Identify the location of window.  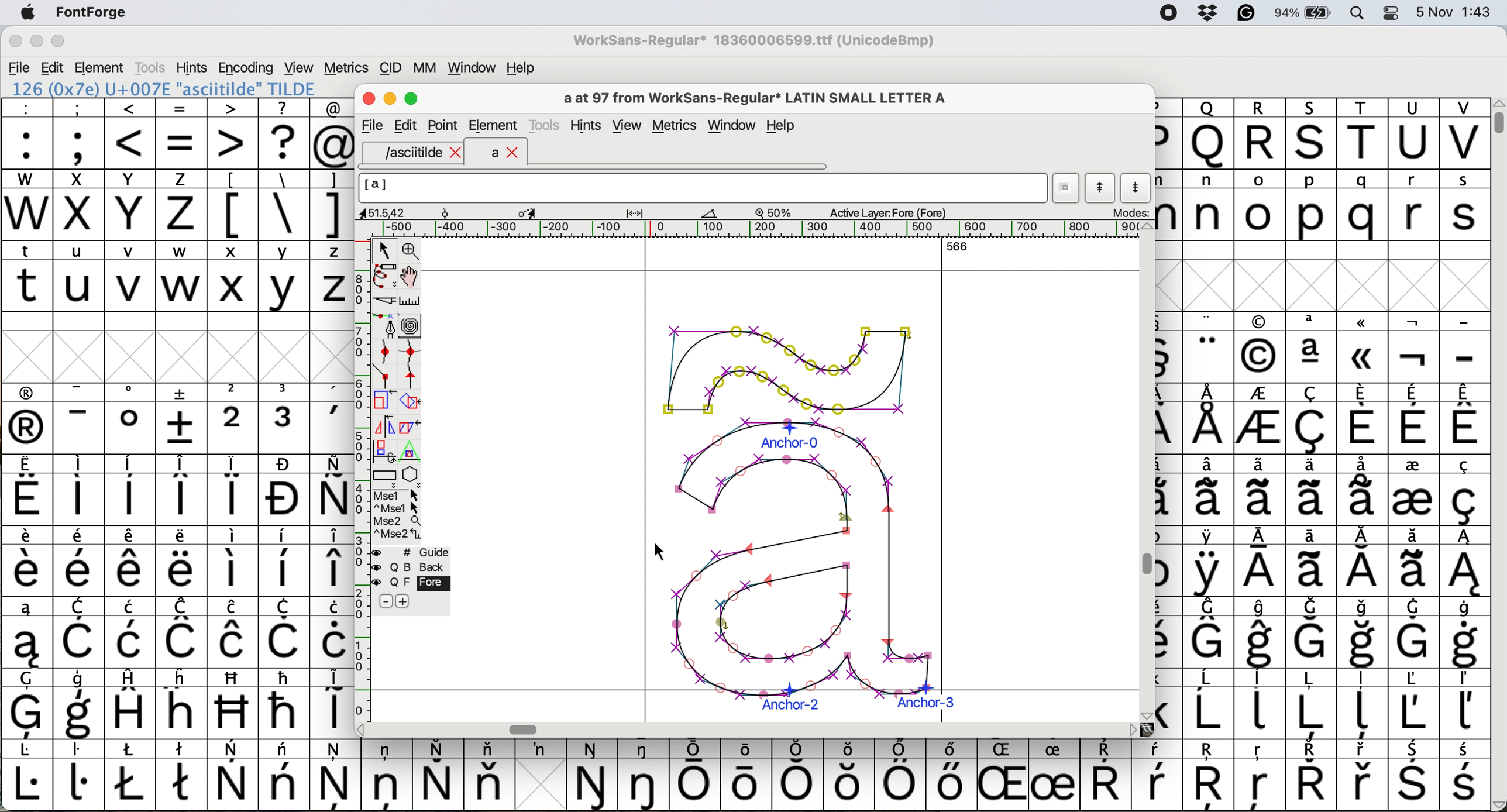
(469, 68).